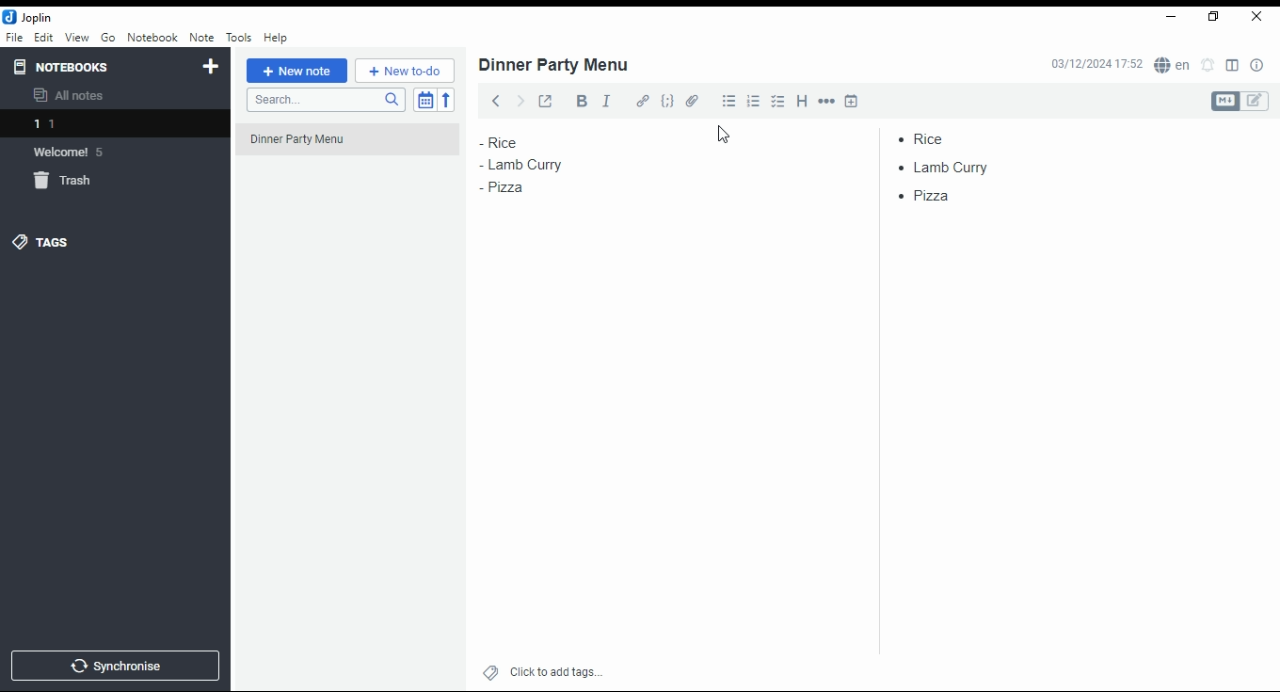 Image resolution: width=1280 pixels, height=692 pixels. I want to click on help, so click(276, 38).